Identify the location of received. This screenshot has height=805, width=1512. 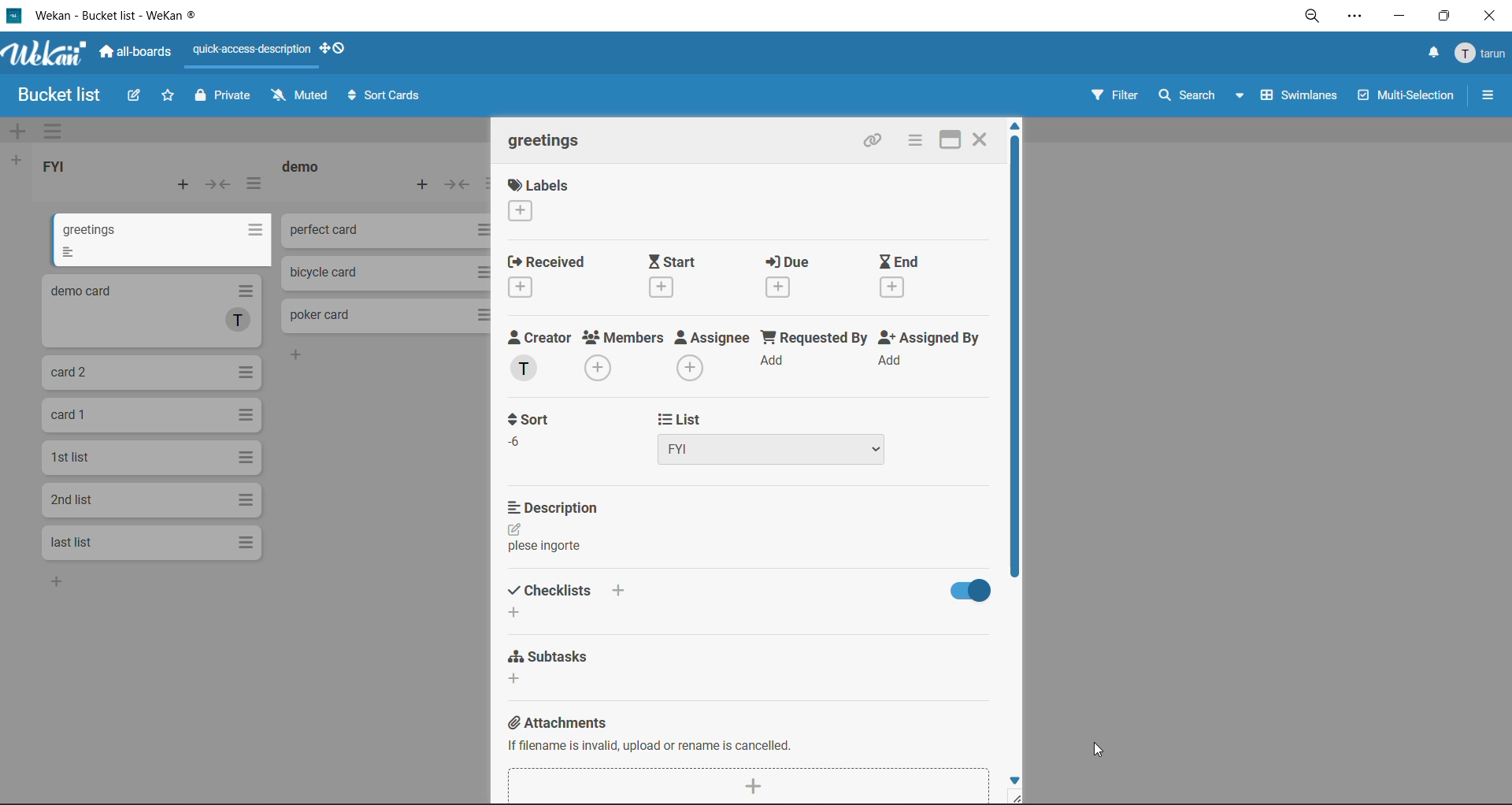
(545, 275).